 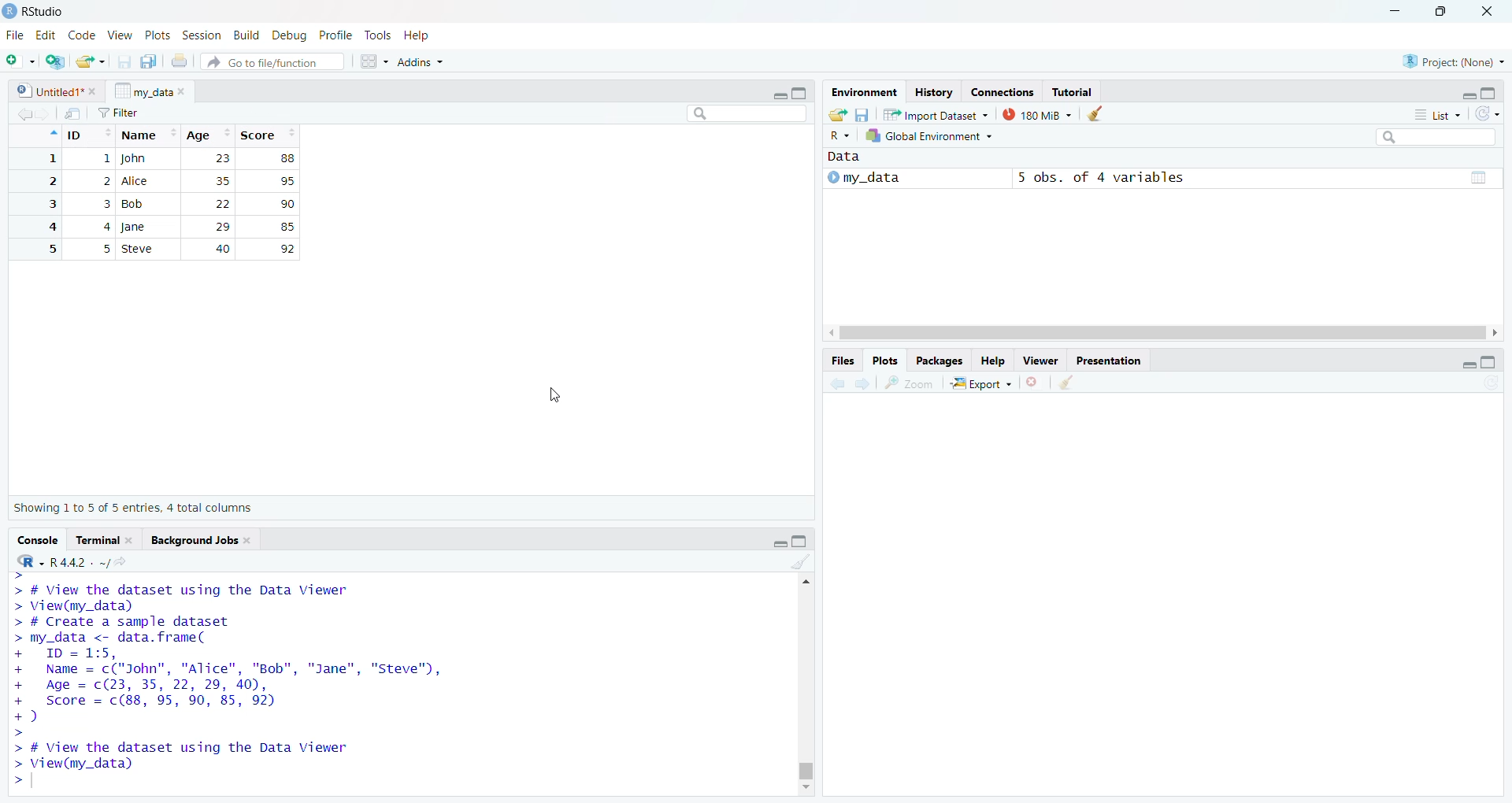 I want to click on workspaces pane, so click(x=373, y=64).